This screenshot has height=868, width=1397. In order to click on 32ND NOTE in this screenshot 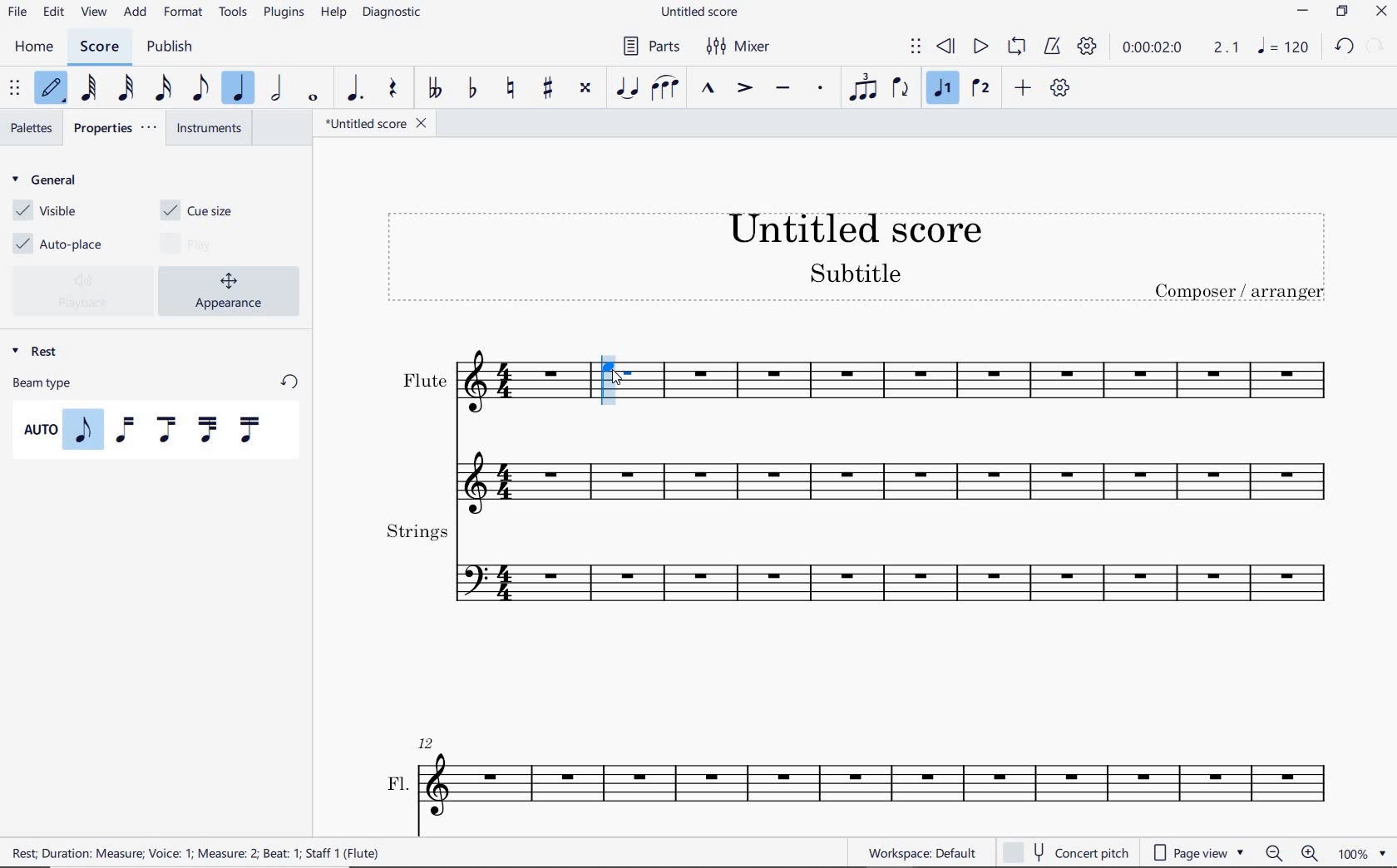, I will do `click(125, 89)`.